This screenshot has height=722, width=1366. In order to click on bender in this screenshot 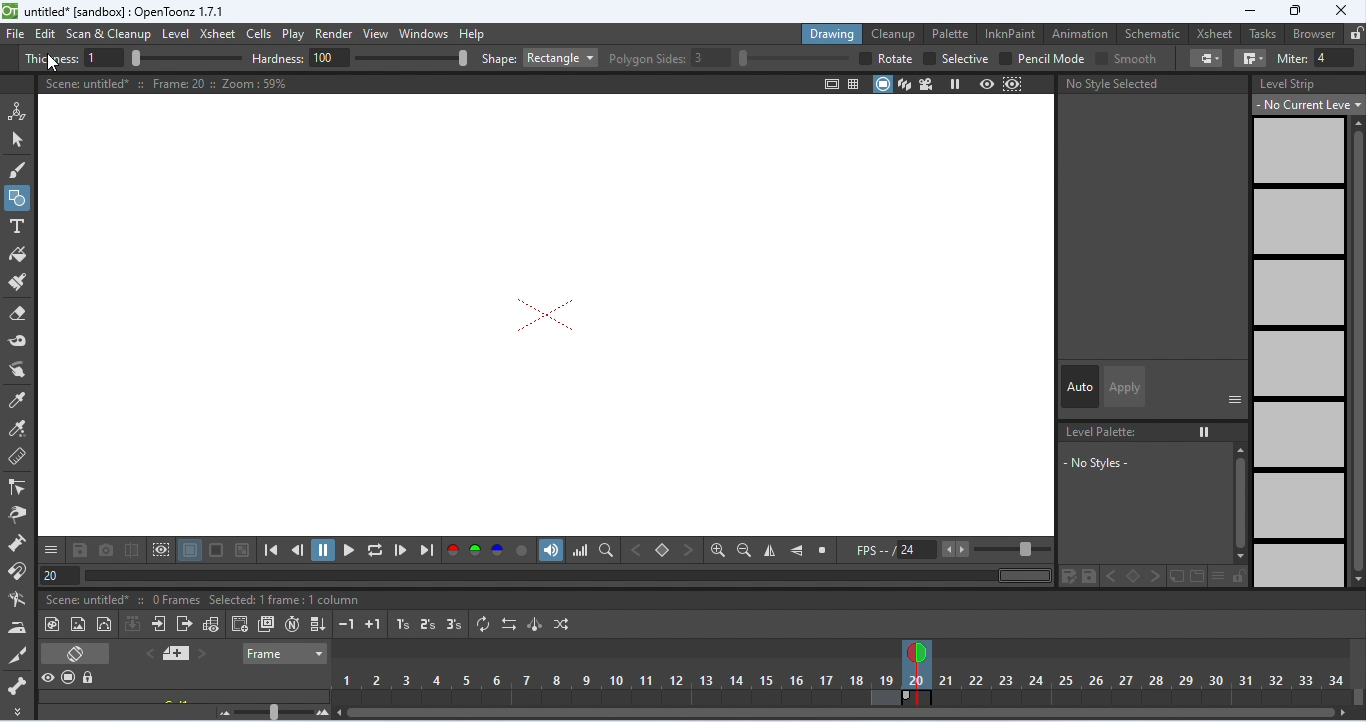, I will do `click(19, 598)`.